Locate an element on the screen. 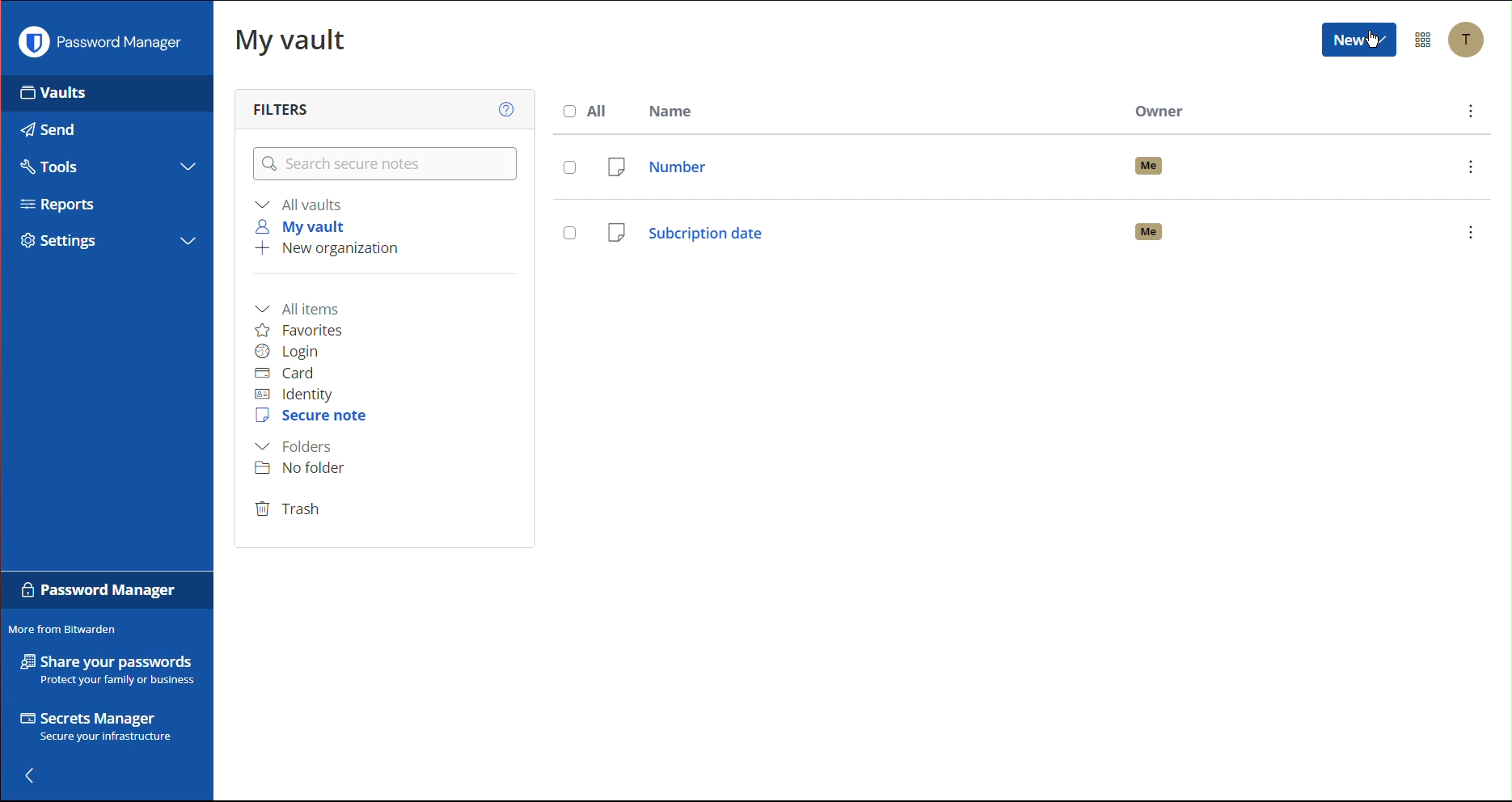 The height and width of the screenshot is (802, 1512). expand/collapse is located at coordinates (188, 242).